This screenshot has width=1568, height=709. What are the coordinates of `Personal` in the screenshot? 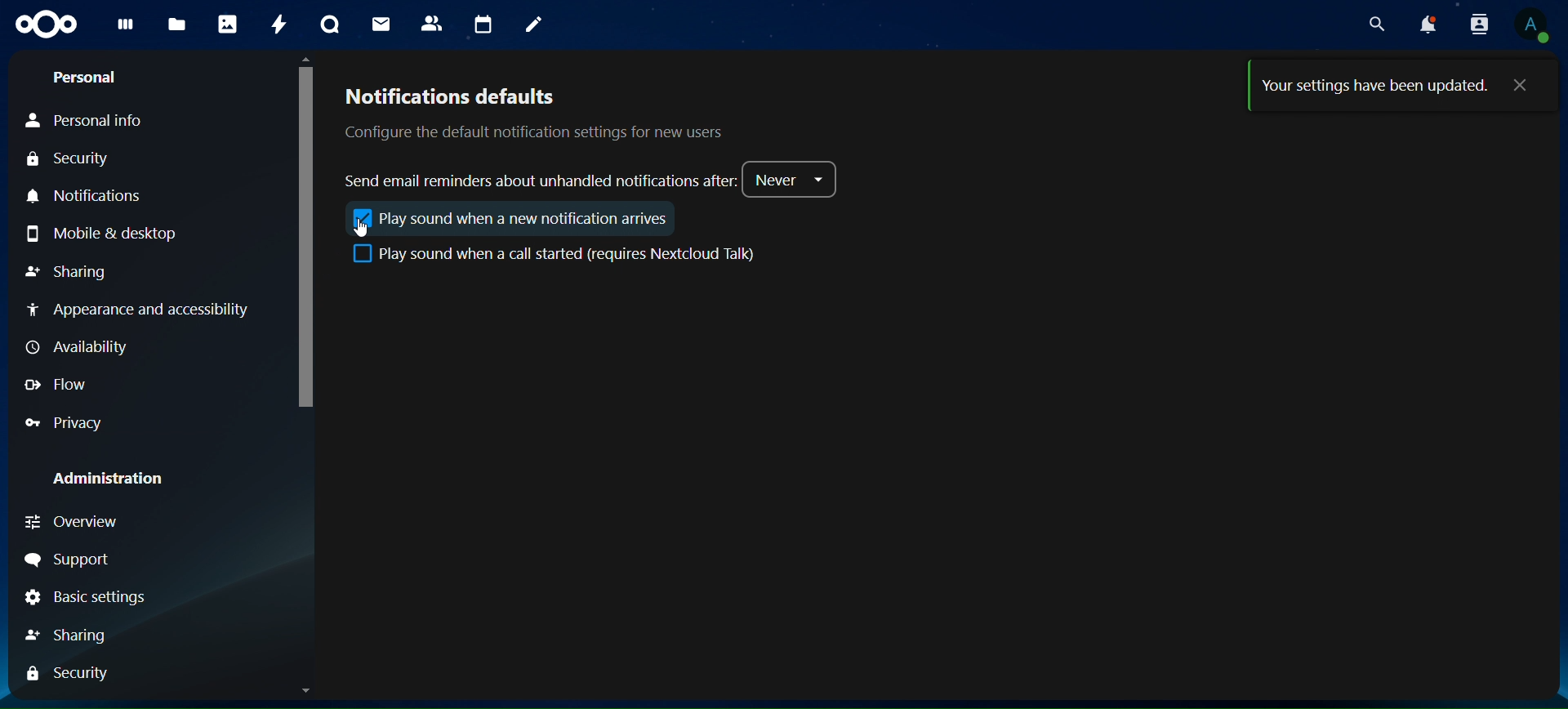 It's located at (82, 78).